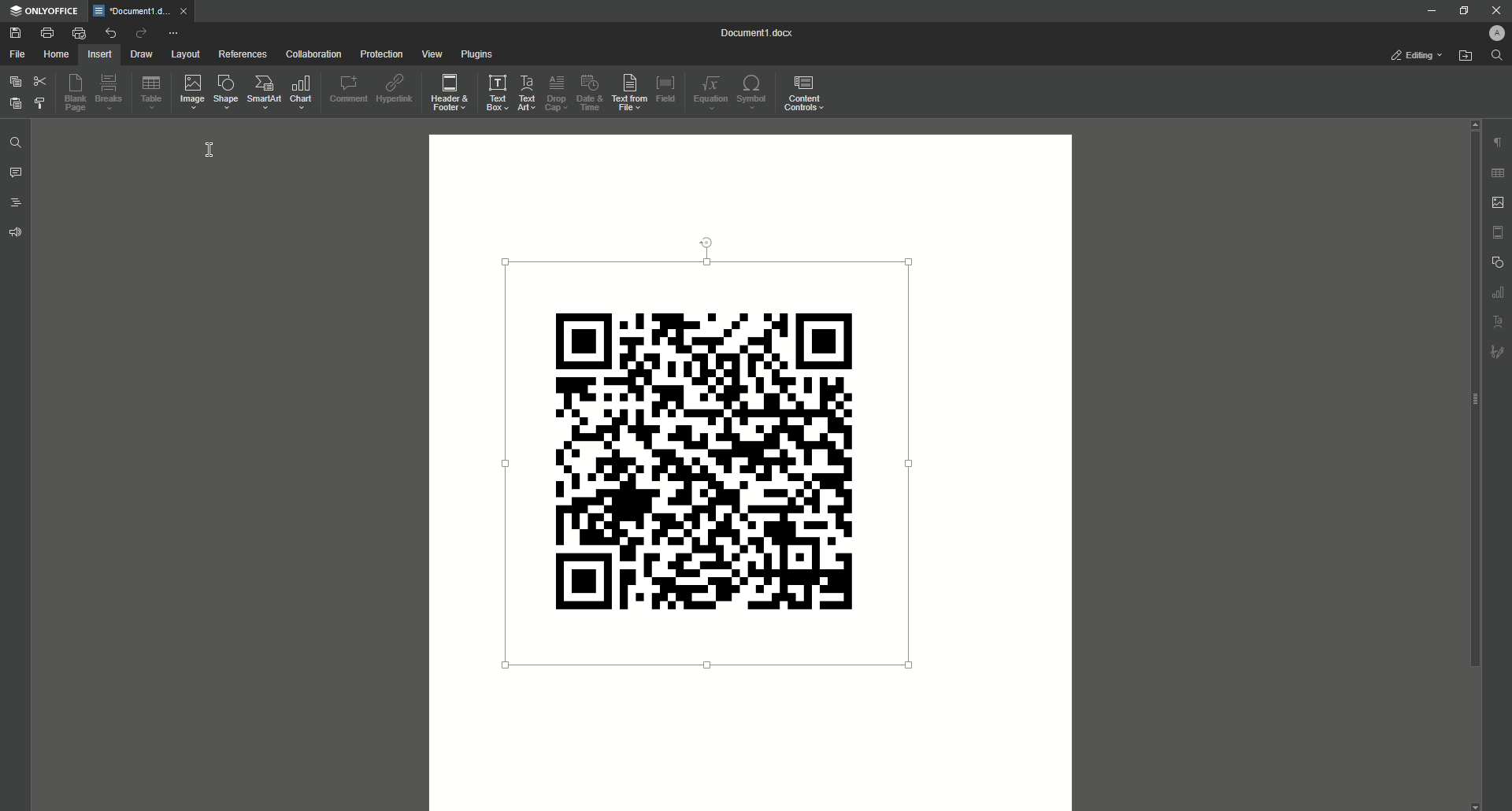 The image size is (1512, 811). Describe the element at coordinates (78, 31) in the screenshot. I see `Quick Print` at that location.